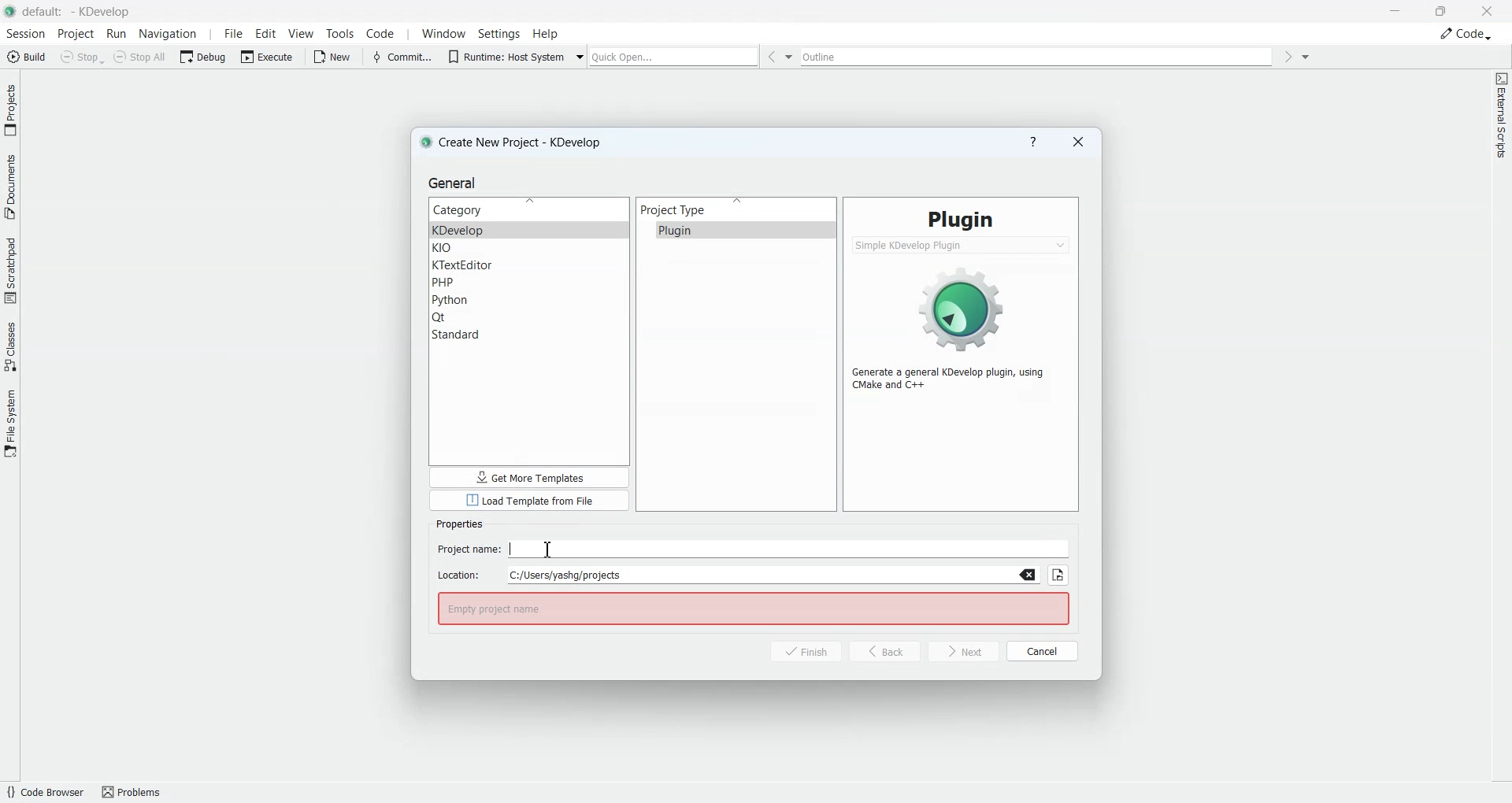  Describe the element at coordinates (1039, 57) in the screenshot. I see `Outline` at that location.